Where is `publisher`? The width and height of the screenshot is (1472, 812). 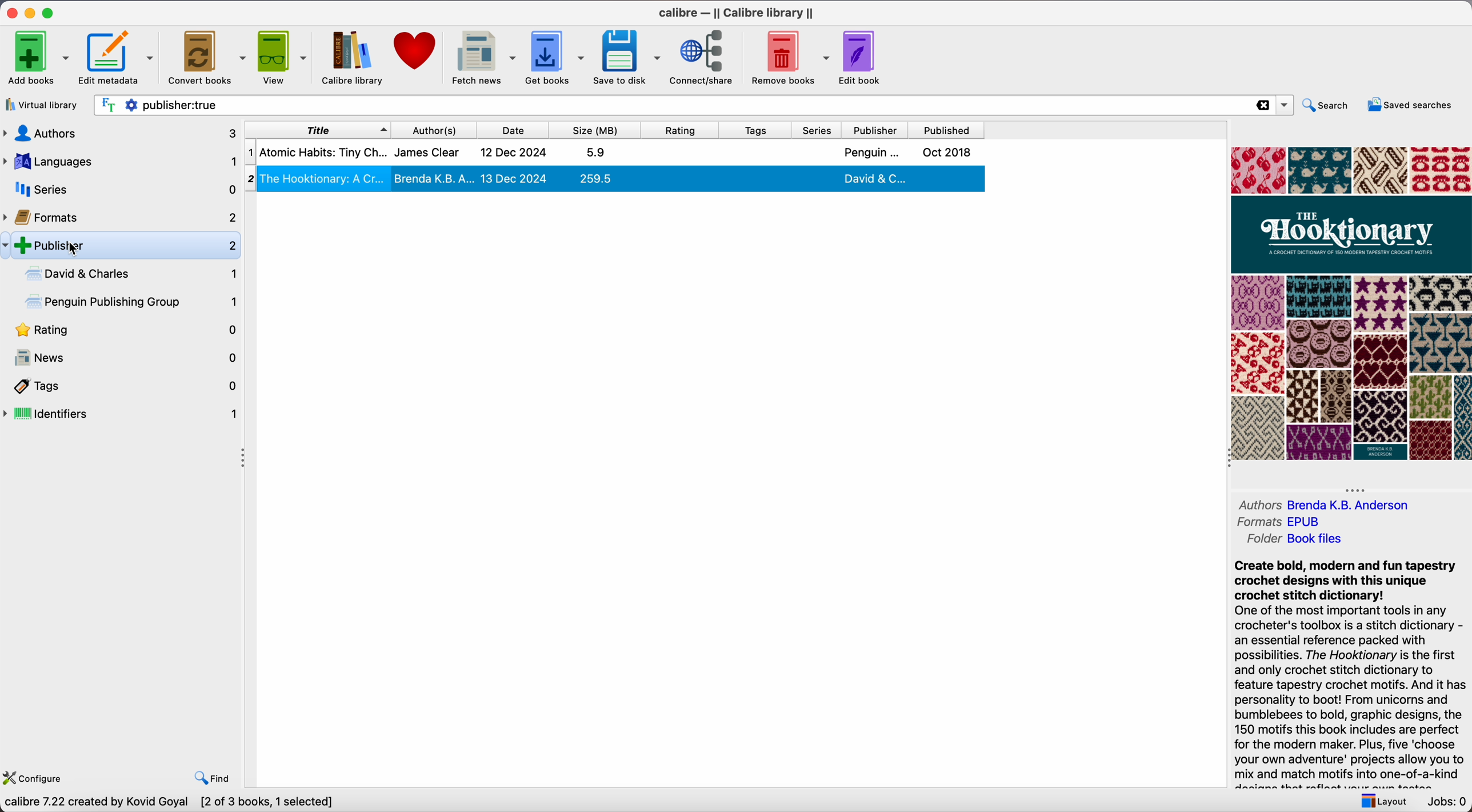
publisher is located at coordinates (877, 130).